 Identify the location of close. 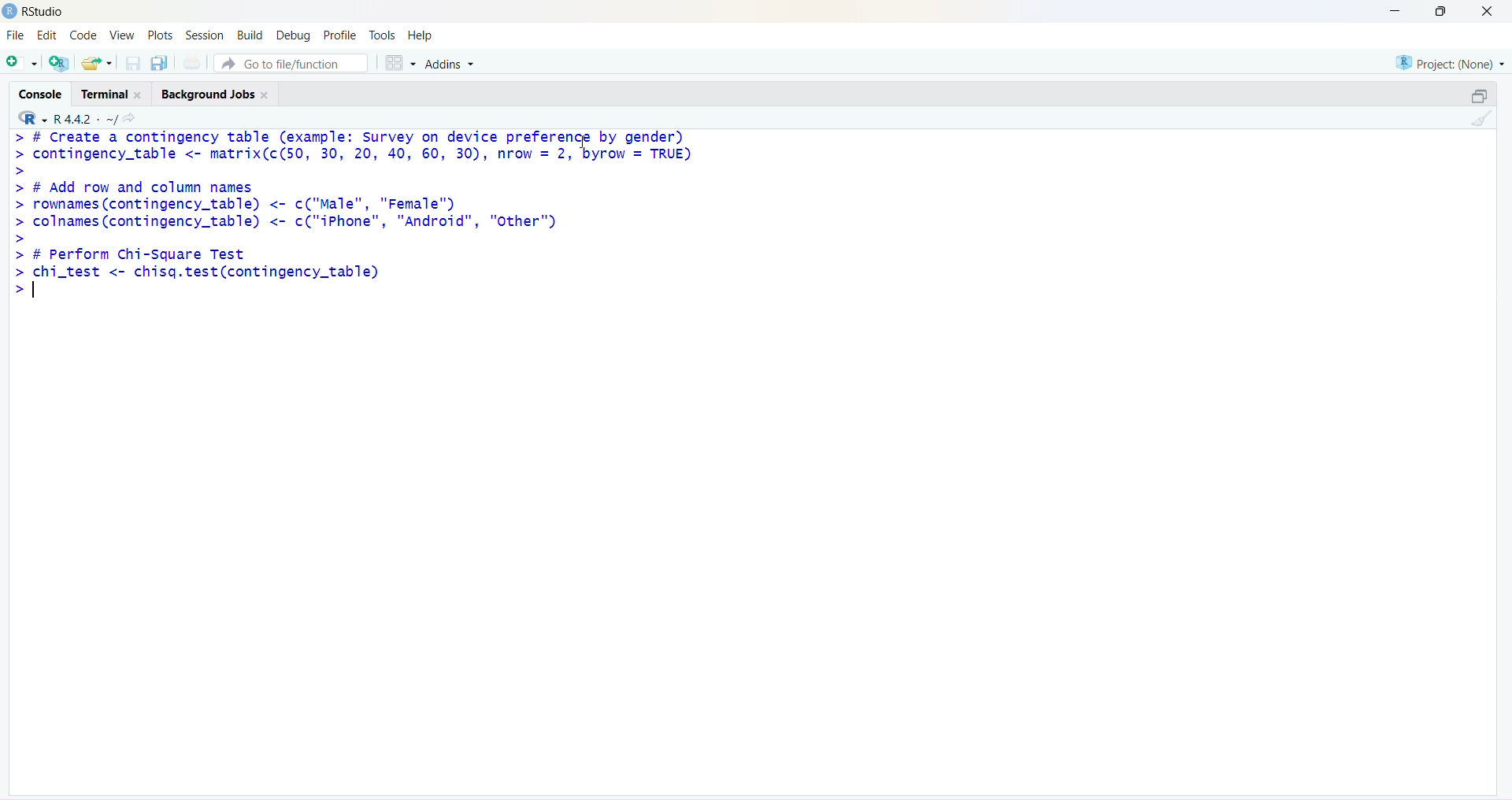
(265, 94).